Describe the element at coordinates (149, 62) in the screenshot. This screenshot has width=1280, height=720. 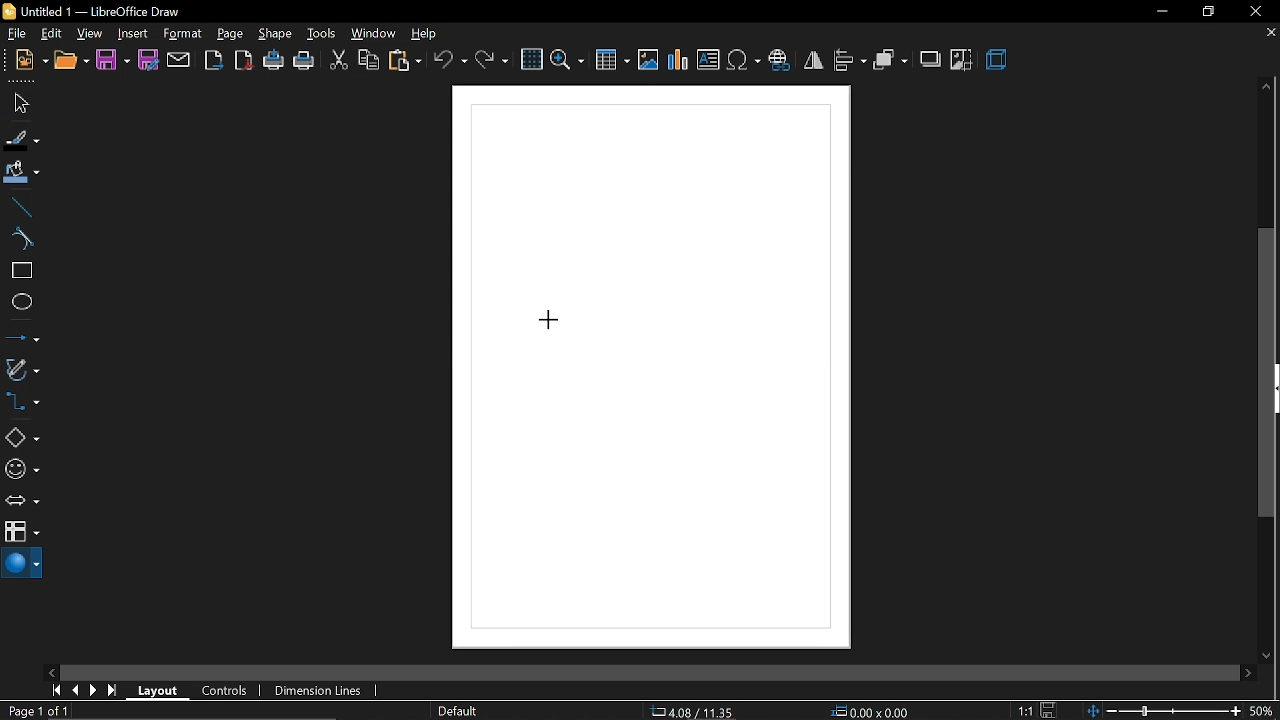
I see `save as` at that location.